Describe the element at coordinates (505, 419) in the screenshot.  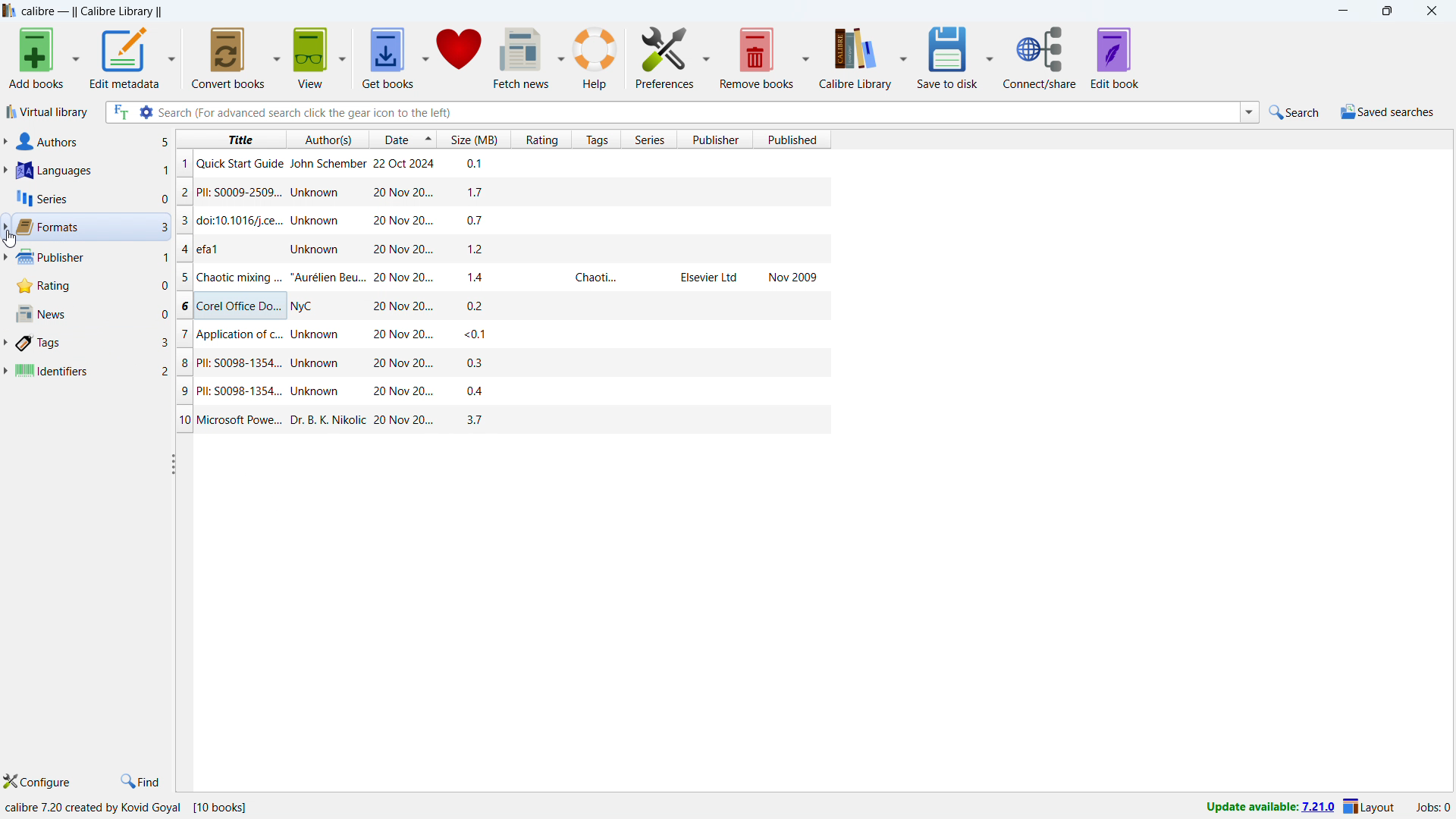
I see `one book entry` at that location.